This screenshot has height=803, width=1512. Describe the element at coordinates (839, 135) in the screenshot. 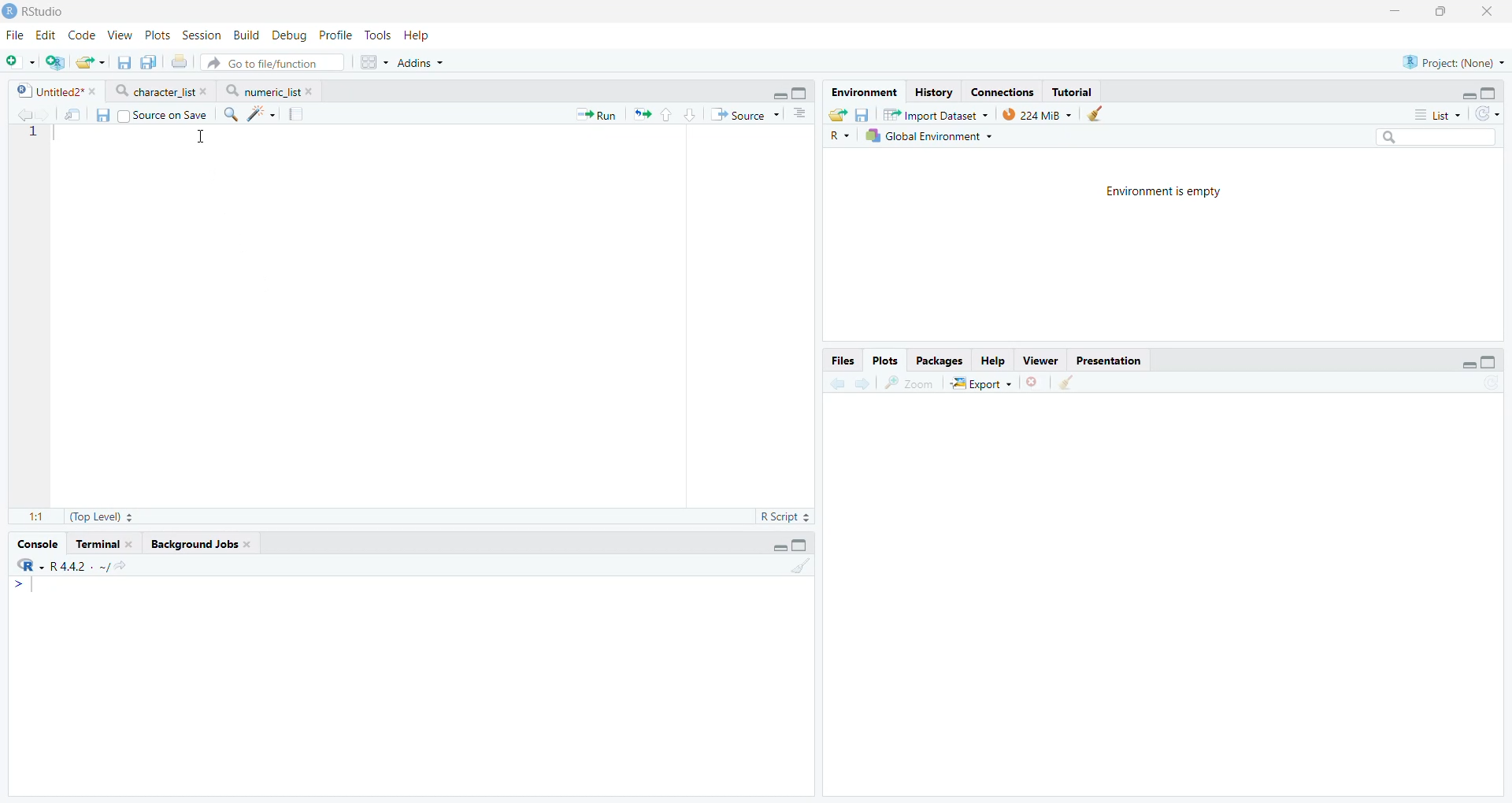

I see `R` at that location.